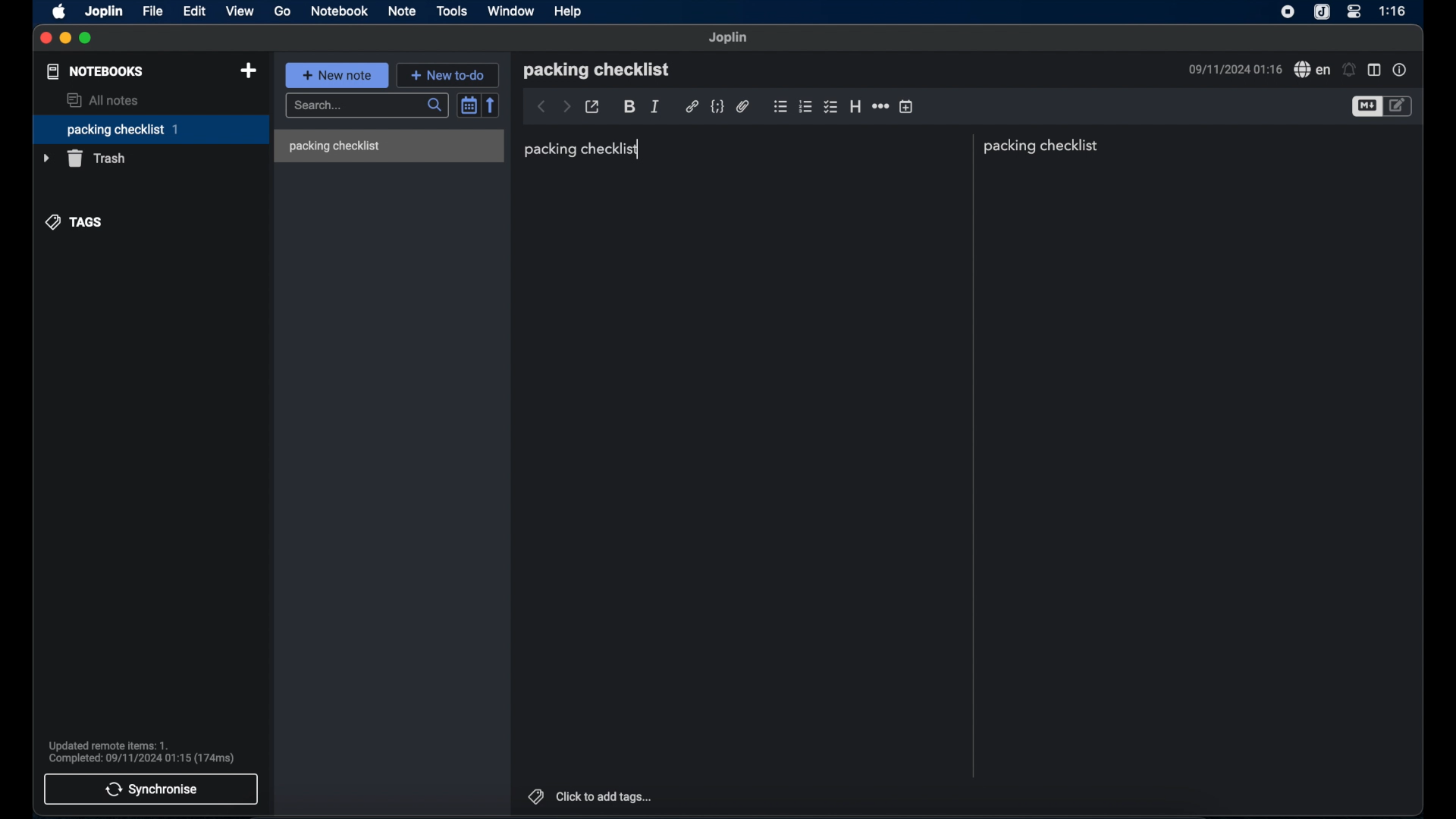 The image size is (1456, 819). I want to click on joplin, so click(730, 38).